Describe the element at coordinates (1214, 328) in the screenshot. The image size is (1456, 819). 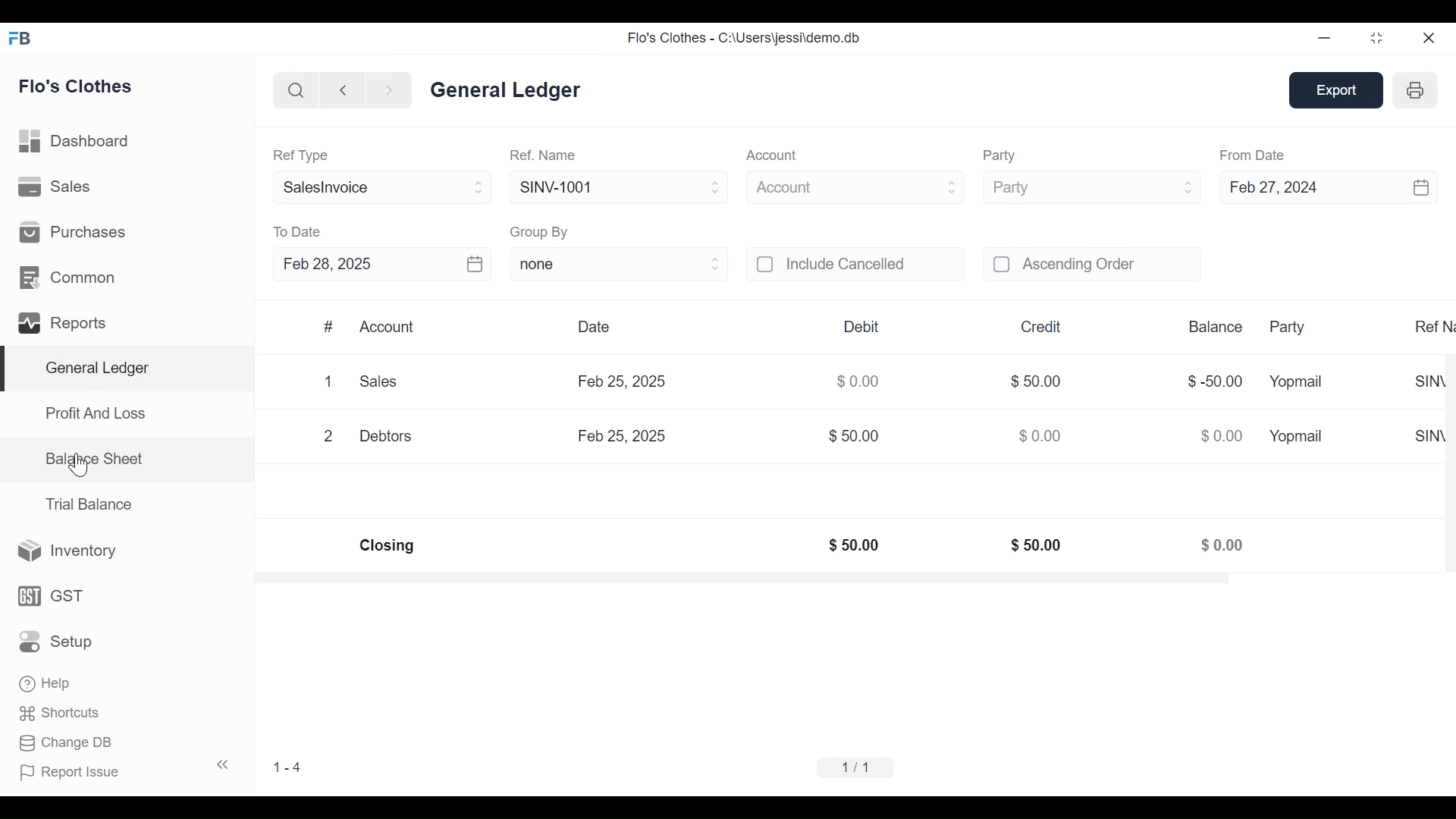
I see `Balance` at that location.